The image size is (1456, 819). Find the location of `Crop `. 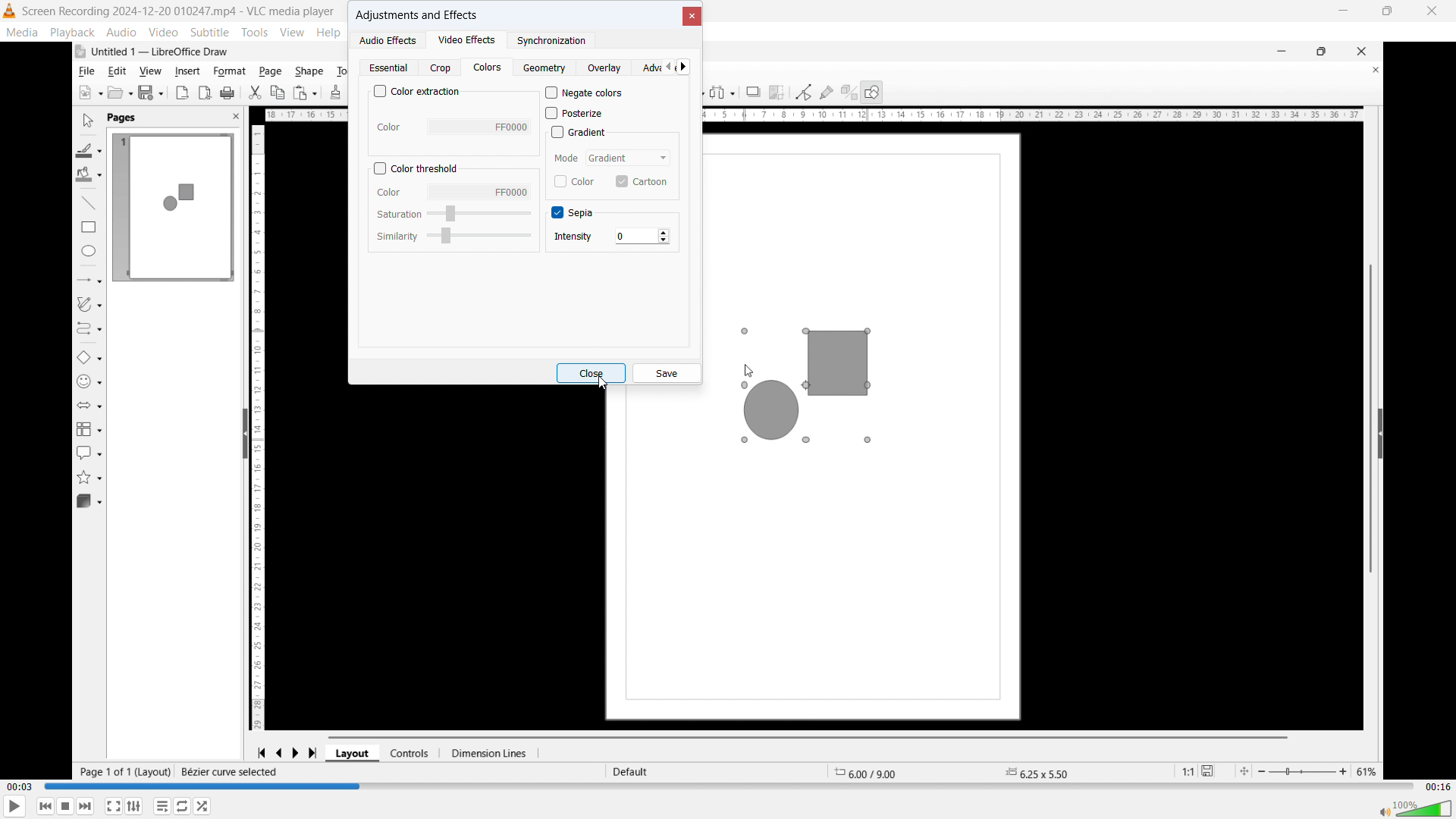

Crop  is located at coordinates (439, 68).